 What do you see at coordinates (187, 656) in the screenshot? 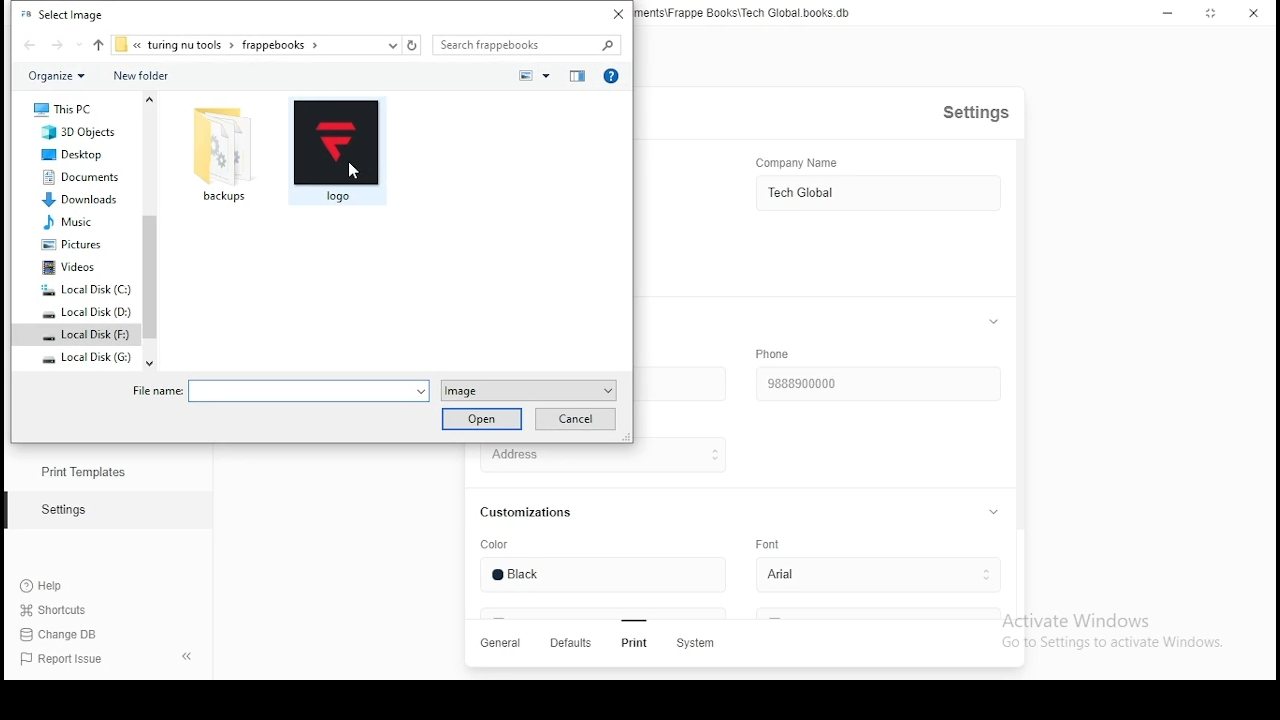
I see `hide sidebar` at bounding box center [187, 656].